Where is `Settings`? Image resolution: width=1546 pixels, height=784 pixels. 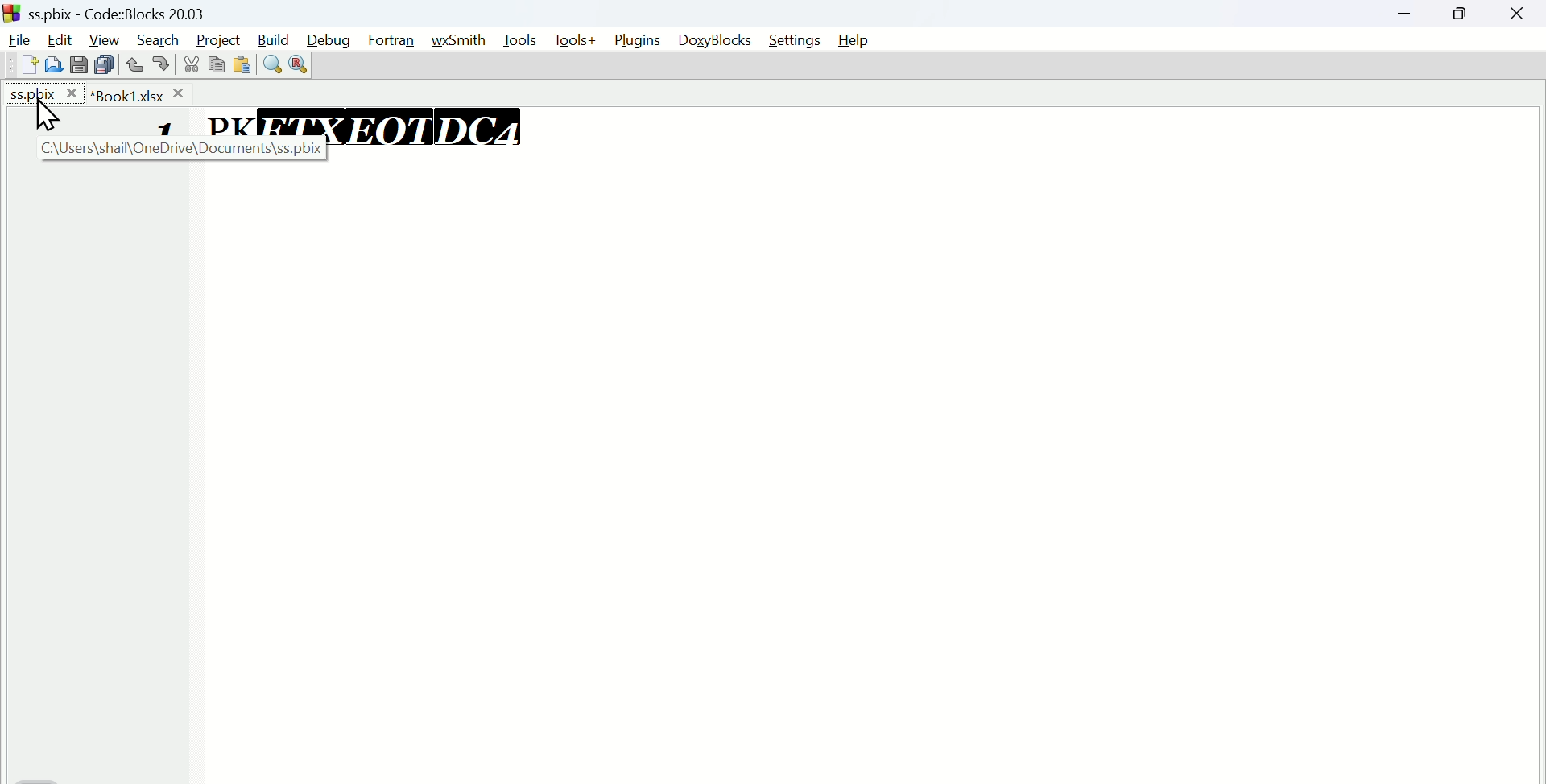 Settings is located at coordinates (793, 40).